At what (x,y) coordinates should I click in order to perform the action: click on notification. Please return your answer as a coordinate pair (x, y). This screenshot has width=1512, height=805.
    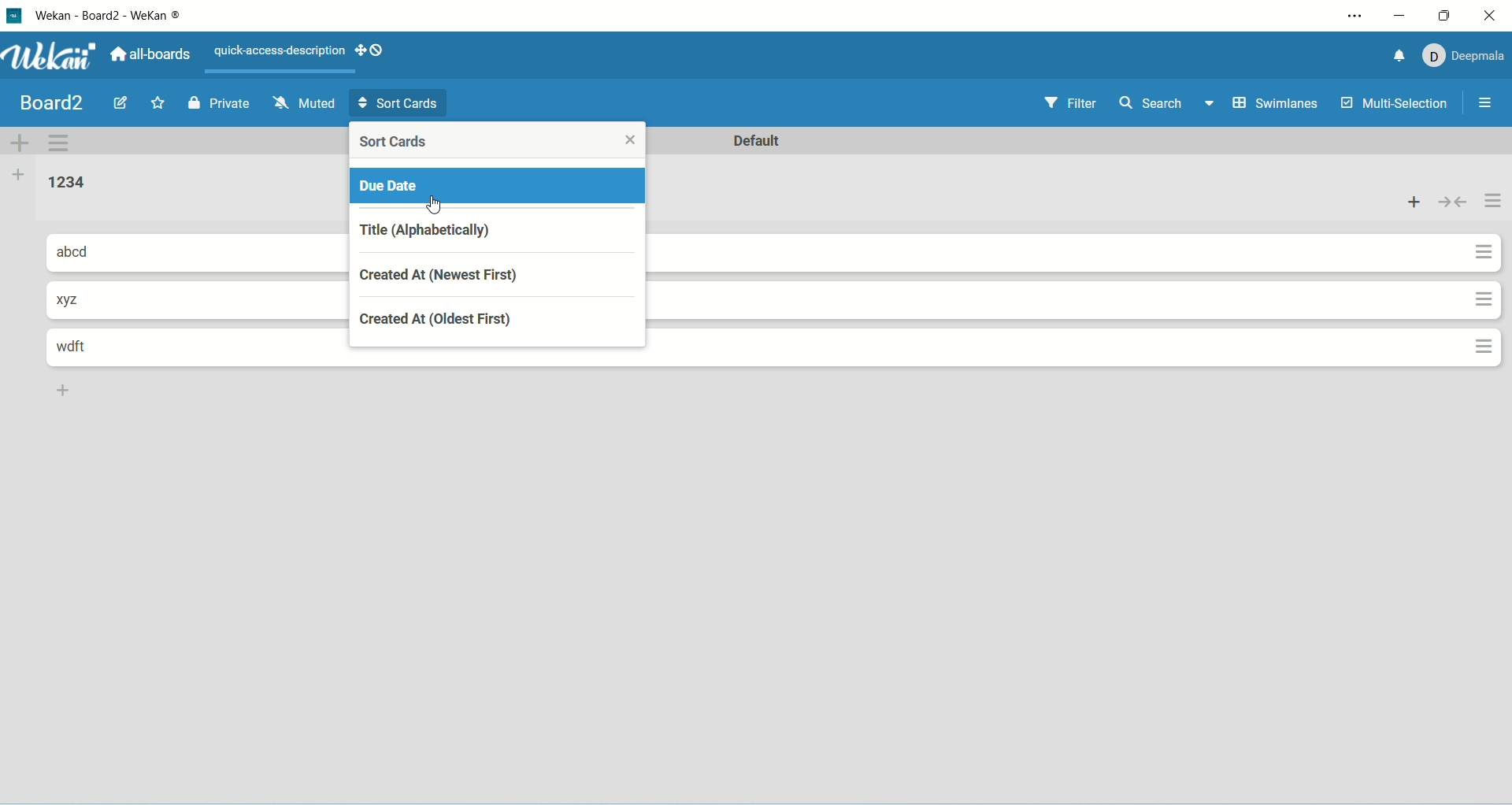
    Looking at the image, I should click on (1400, 56).